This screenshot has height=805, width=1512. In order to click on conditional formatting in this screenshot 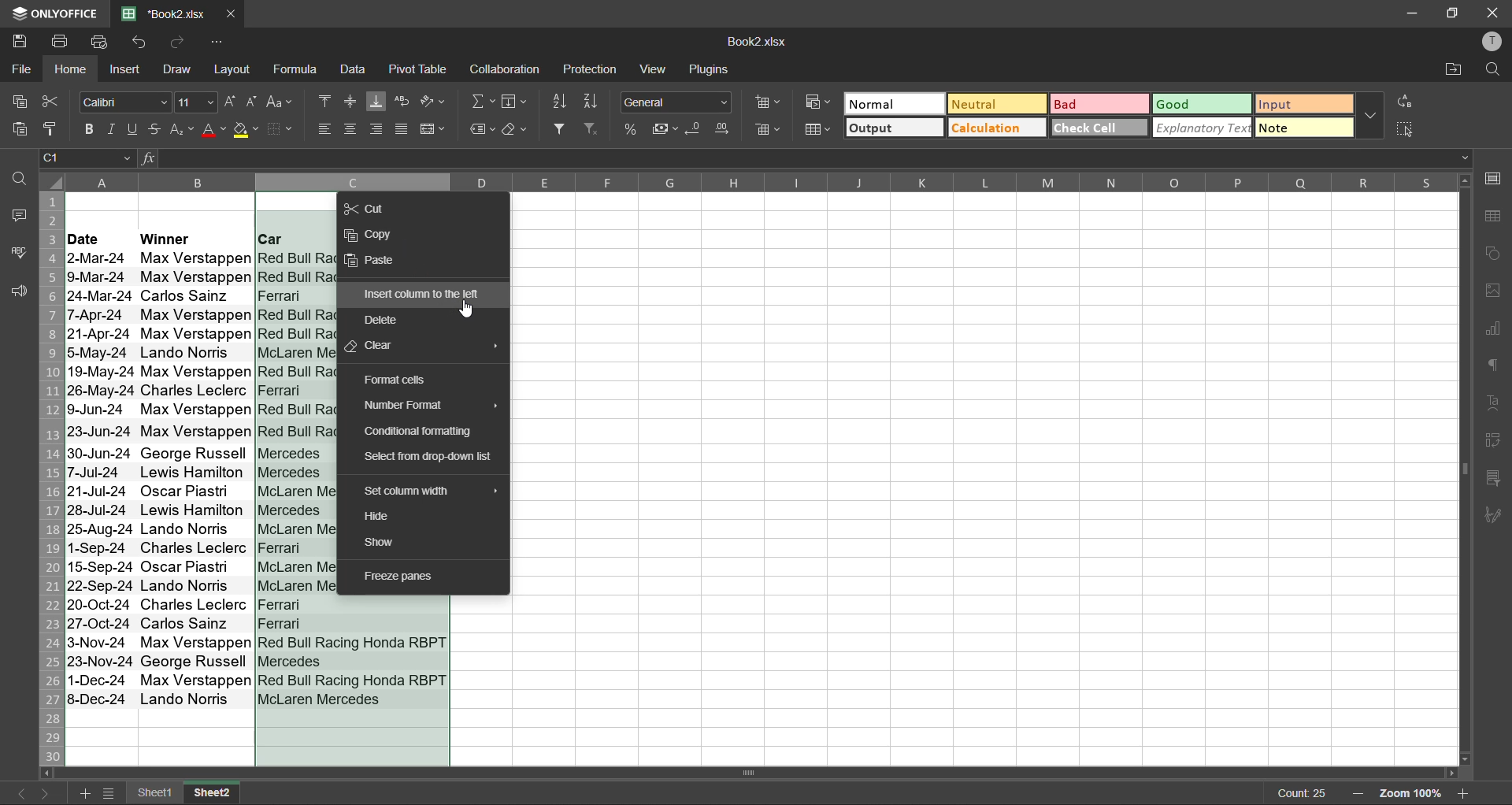, I will do `click(820, 103)`.